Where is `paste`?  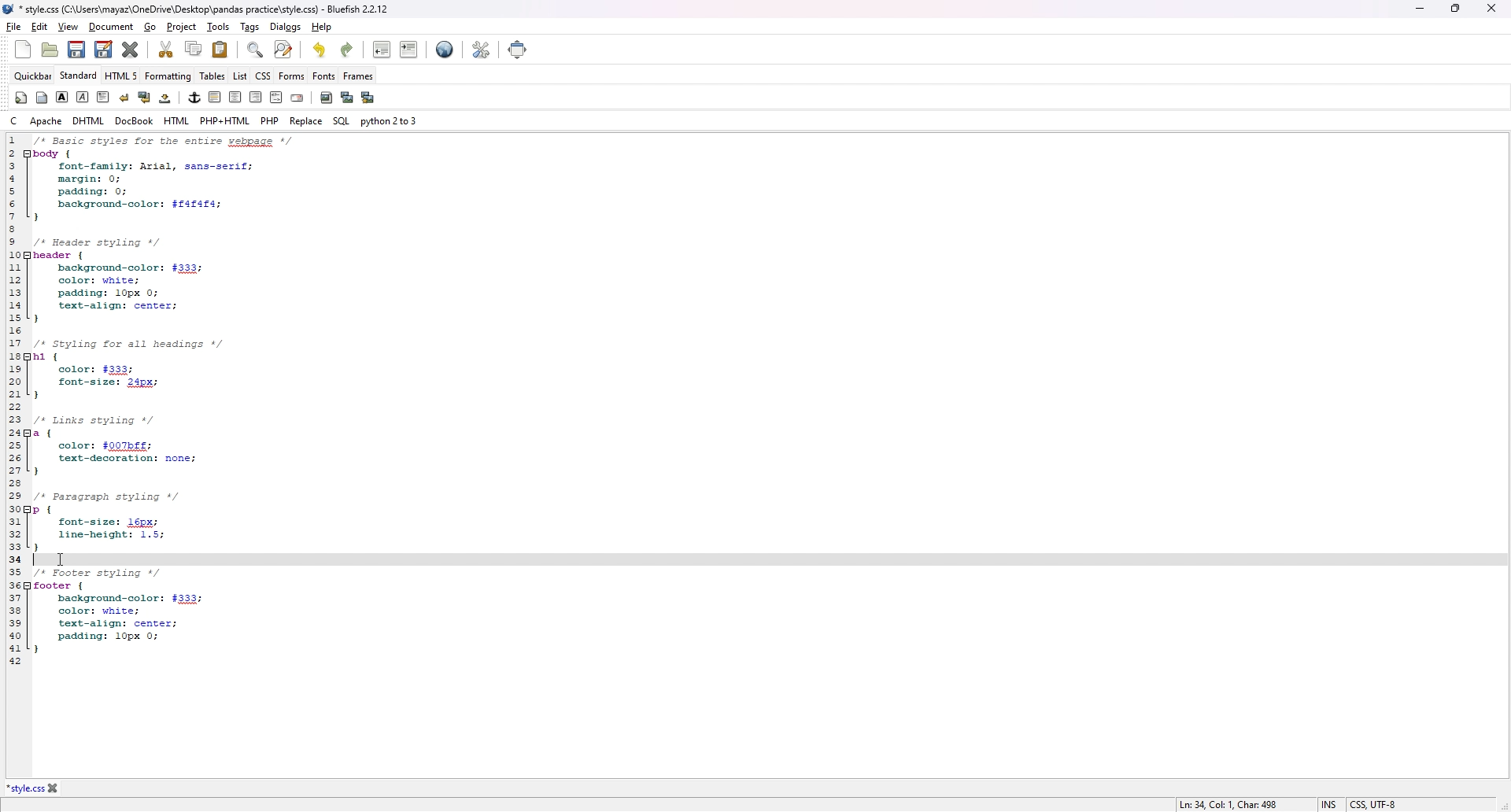 paste is located at coordinates (220, 49).